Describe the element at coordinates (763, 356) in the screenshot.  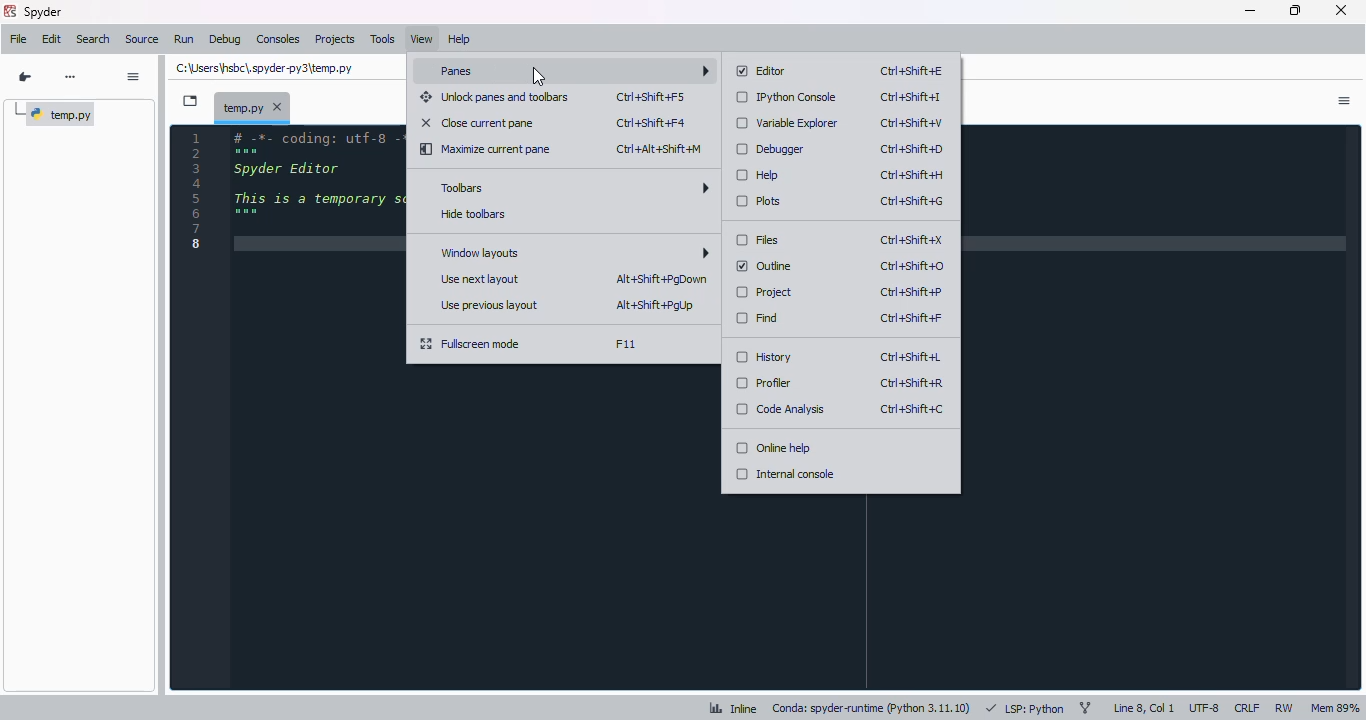
I see `history` at that location.